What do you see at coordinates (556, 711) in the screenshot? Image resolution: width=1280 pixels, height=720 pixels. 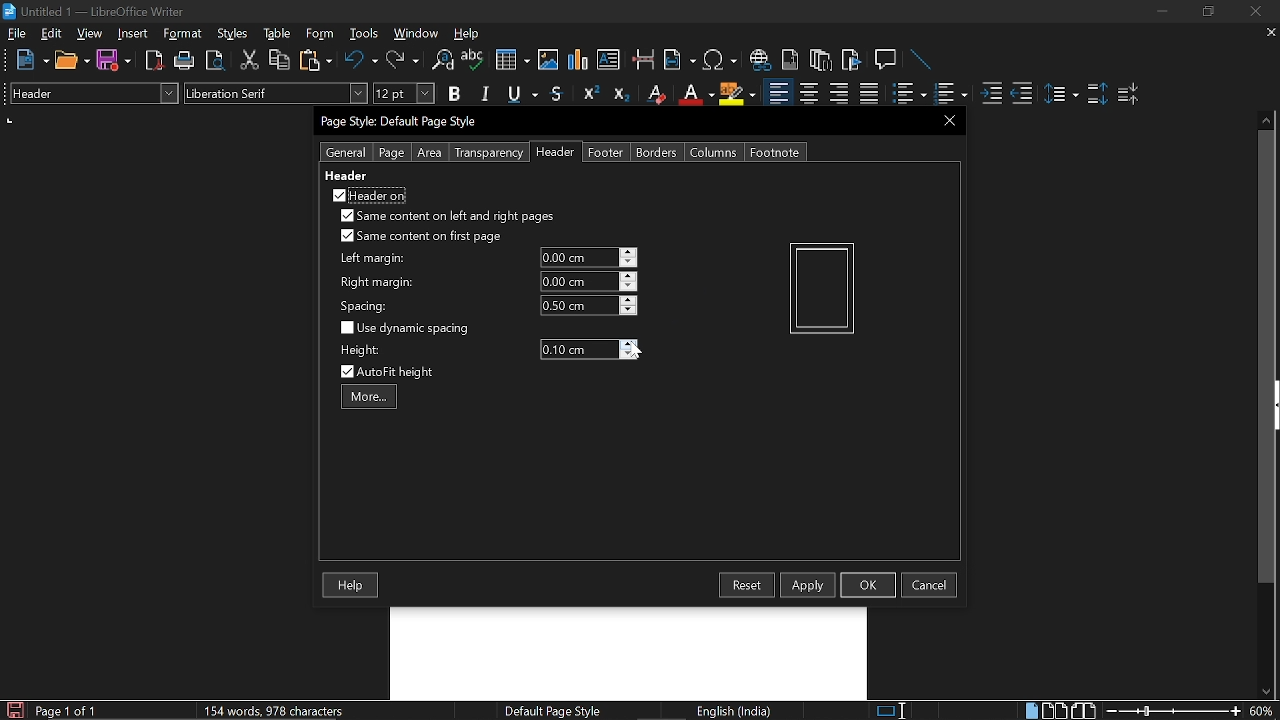 I see `page style Page style` at bounding box center [556, 711].